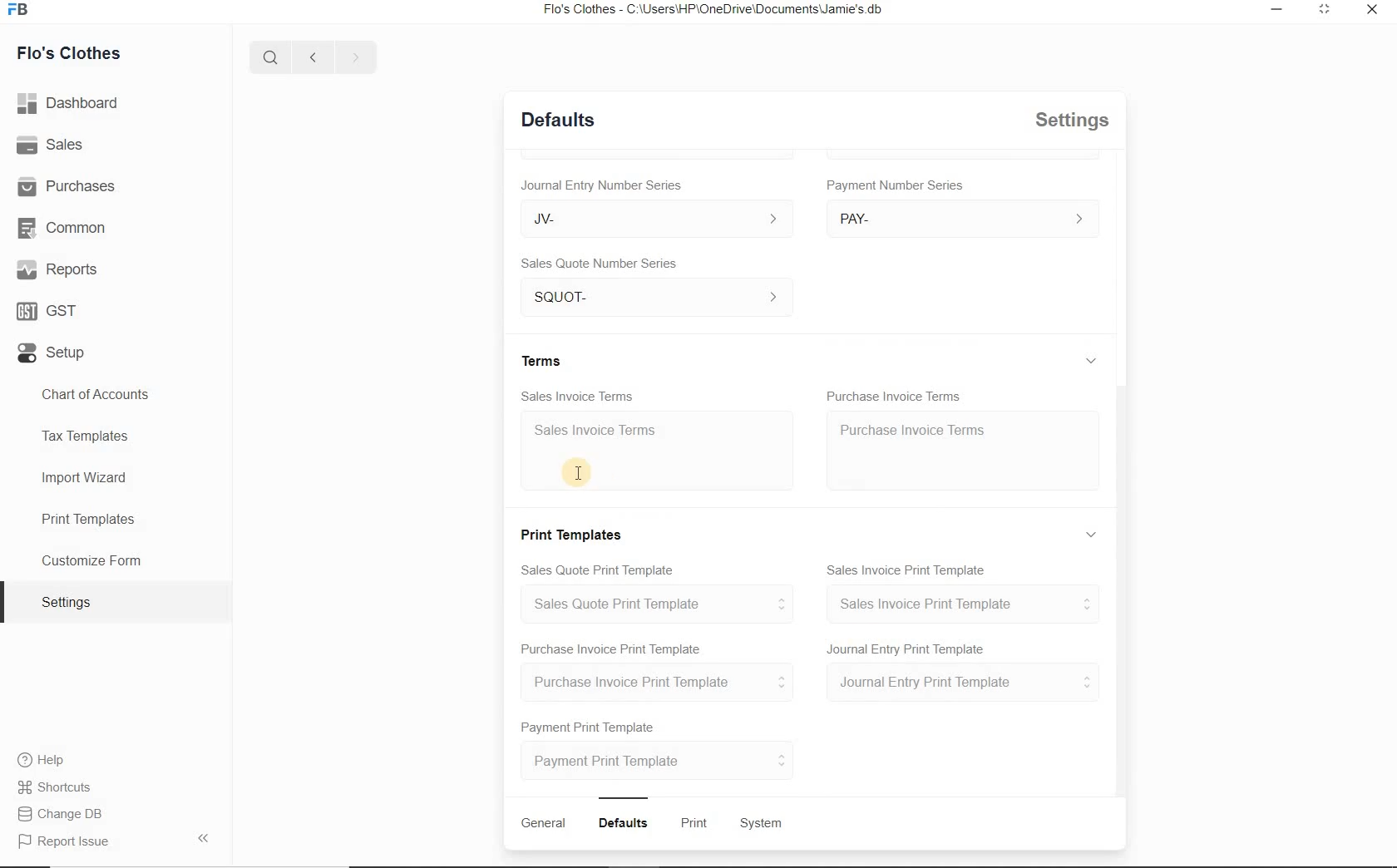 The width and height of the screenshot is (1397, 868). What do you see at coordinates (612, 650) in the screenshot?
I see `Purchase Invoice Print Template` at bounding box center [612, 650].